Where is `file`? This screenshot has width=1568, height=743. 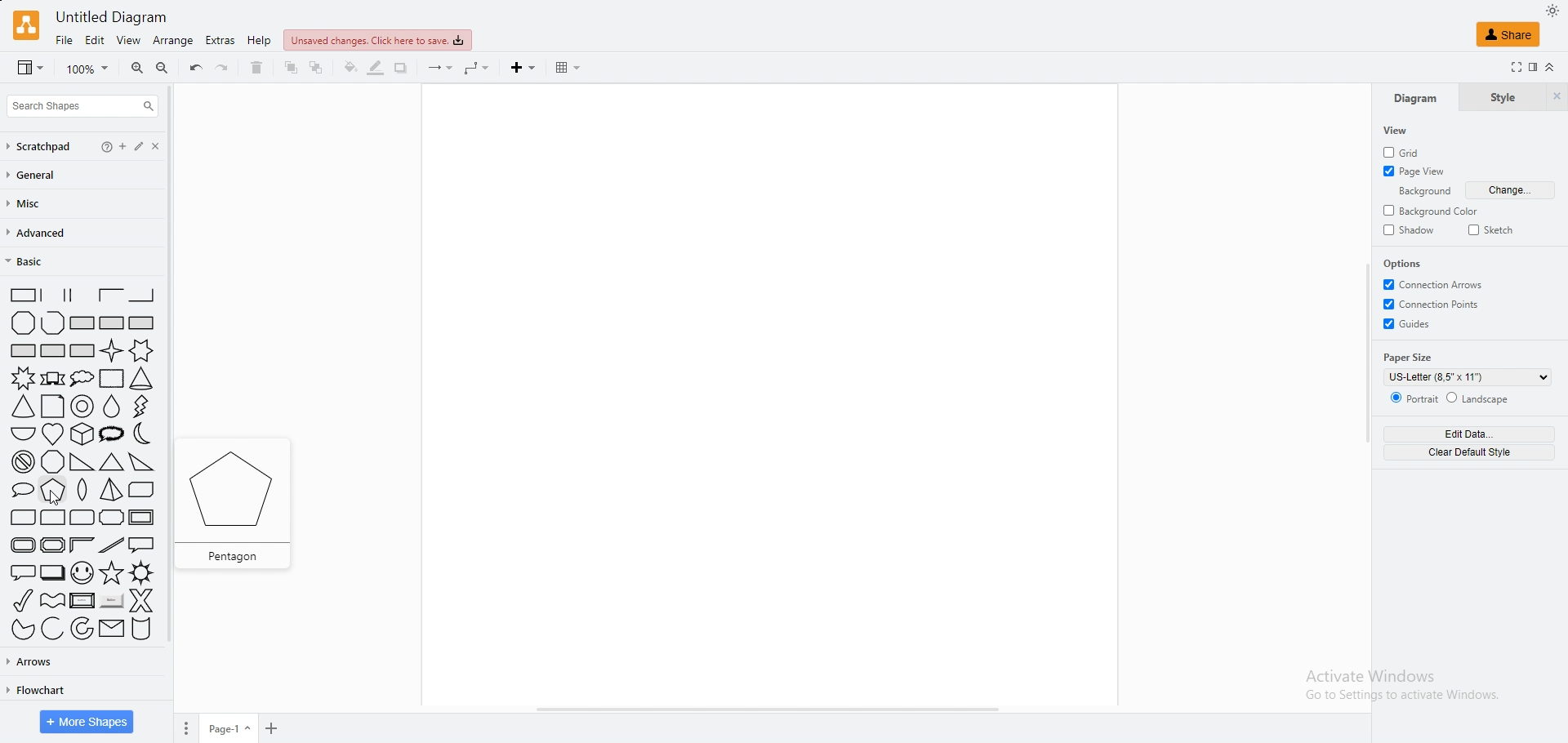
file is located at coordinates (64, 40).